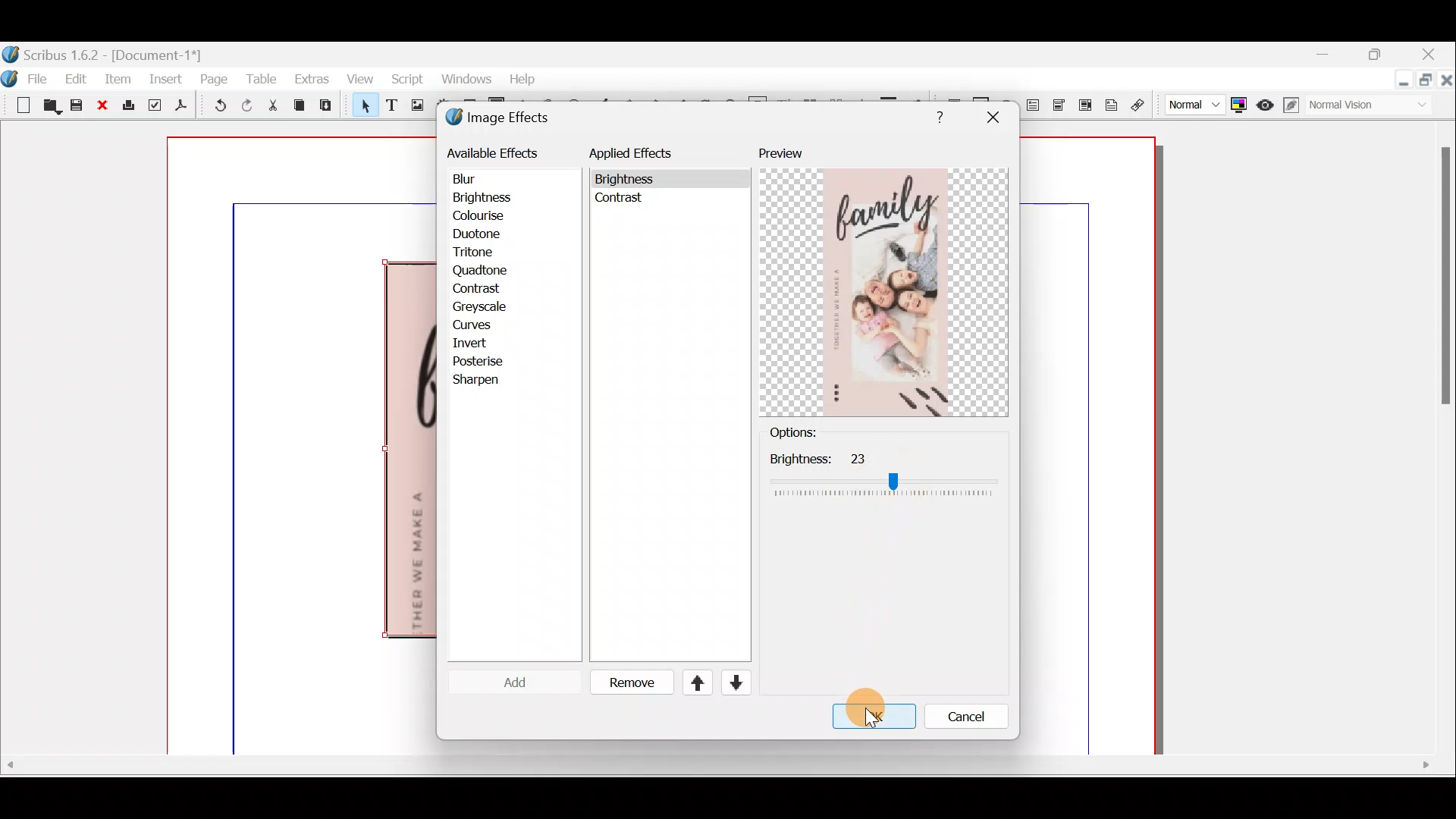 The image size is (1456, 819). I want to click on PDF combo box, so click(1060, 105).